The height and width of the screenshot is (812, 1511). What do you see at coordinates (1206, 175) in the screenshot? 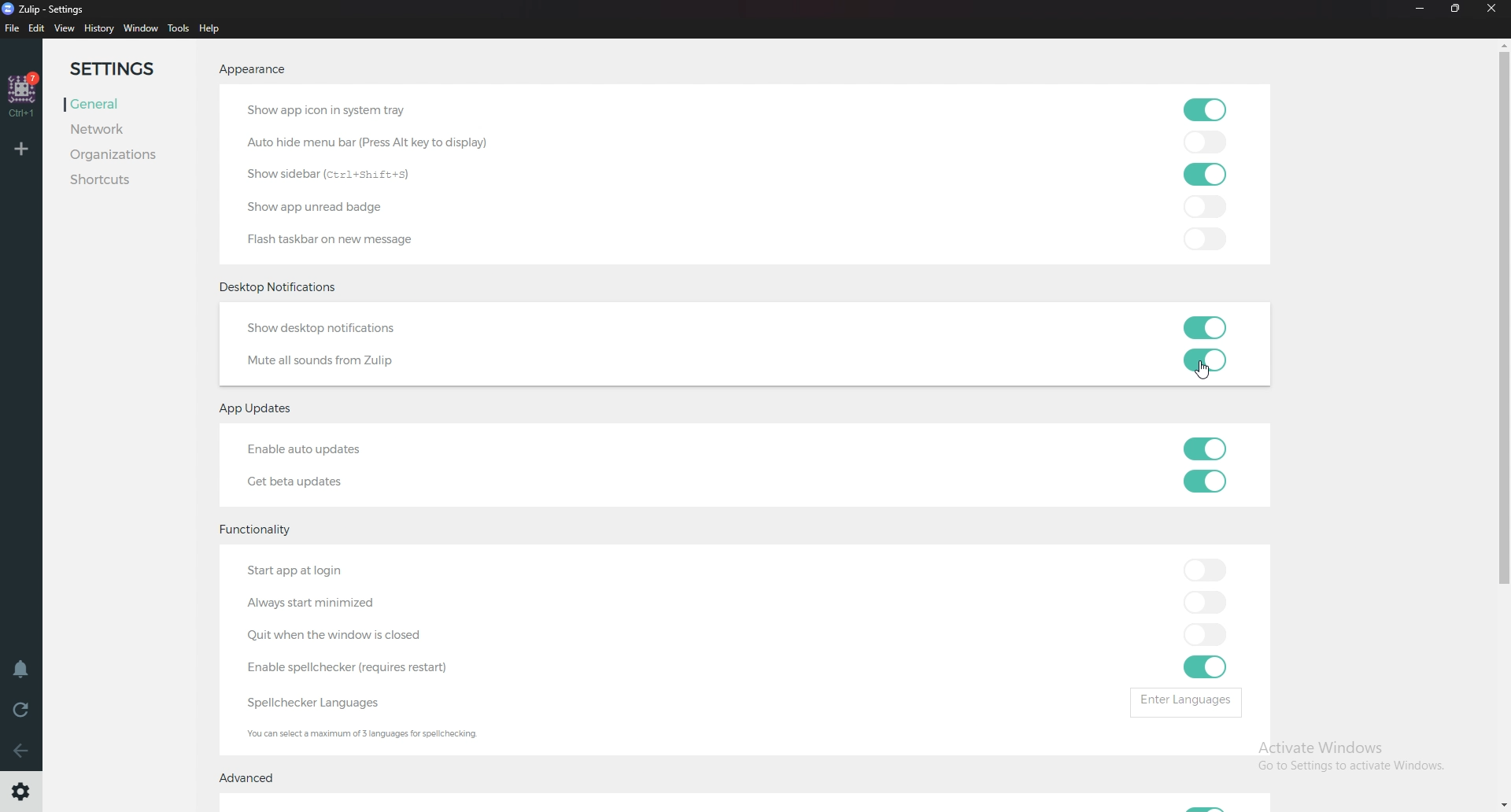
I see `toggle` at bounding box center [1206, 175].